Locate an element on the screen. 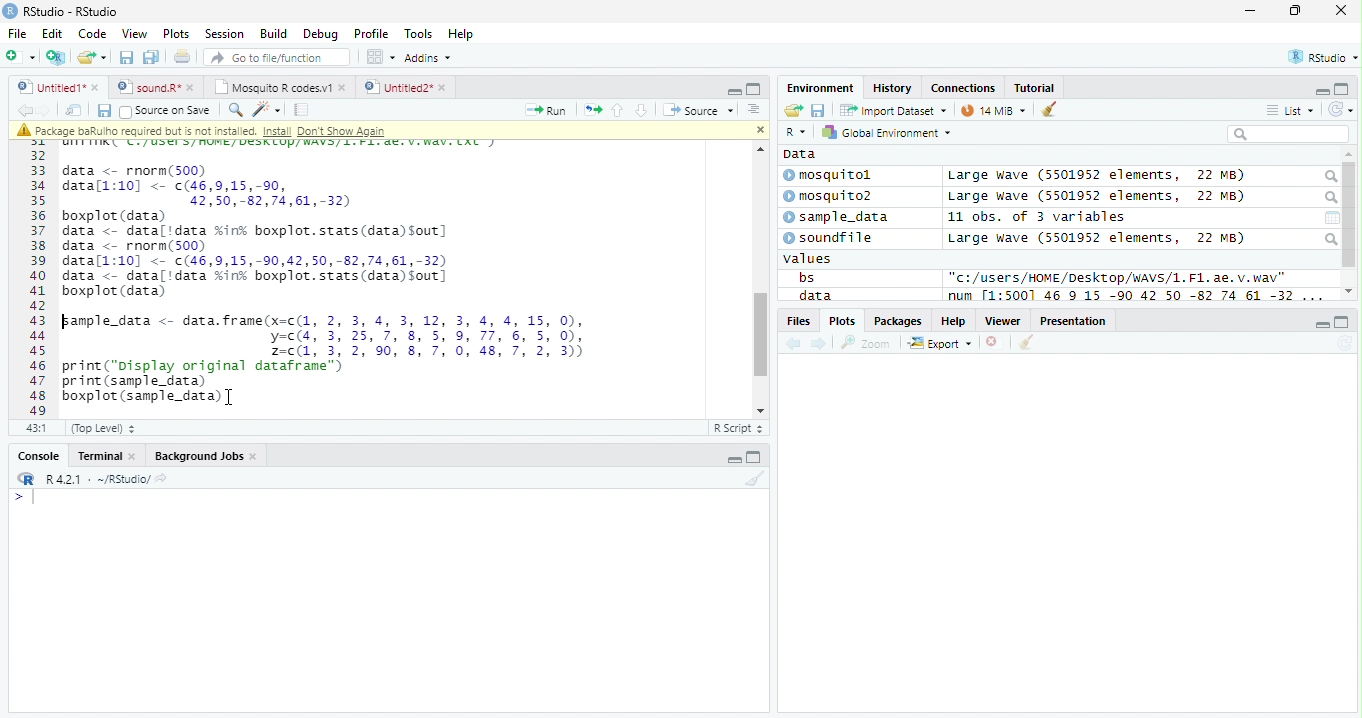  mosquito1 is located at coordinates (831, 176).